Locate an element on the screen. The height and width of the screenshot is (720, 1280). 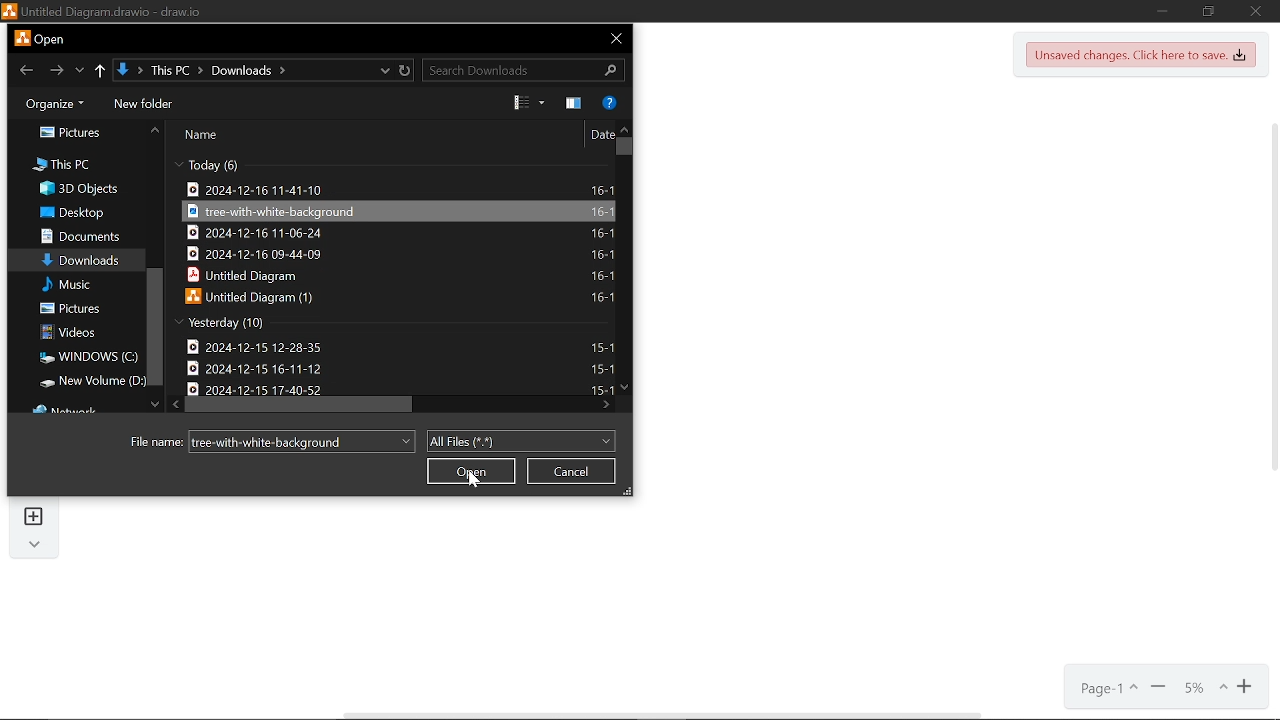
Close is located at coordinates (1257, 11).